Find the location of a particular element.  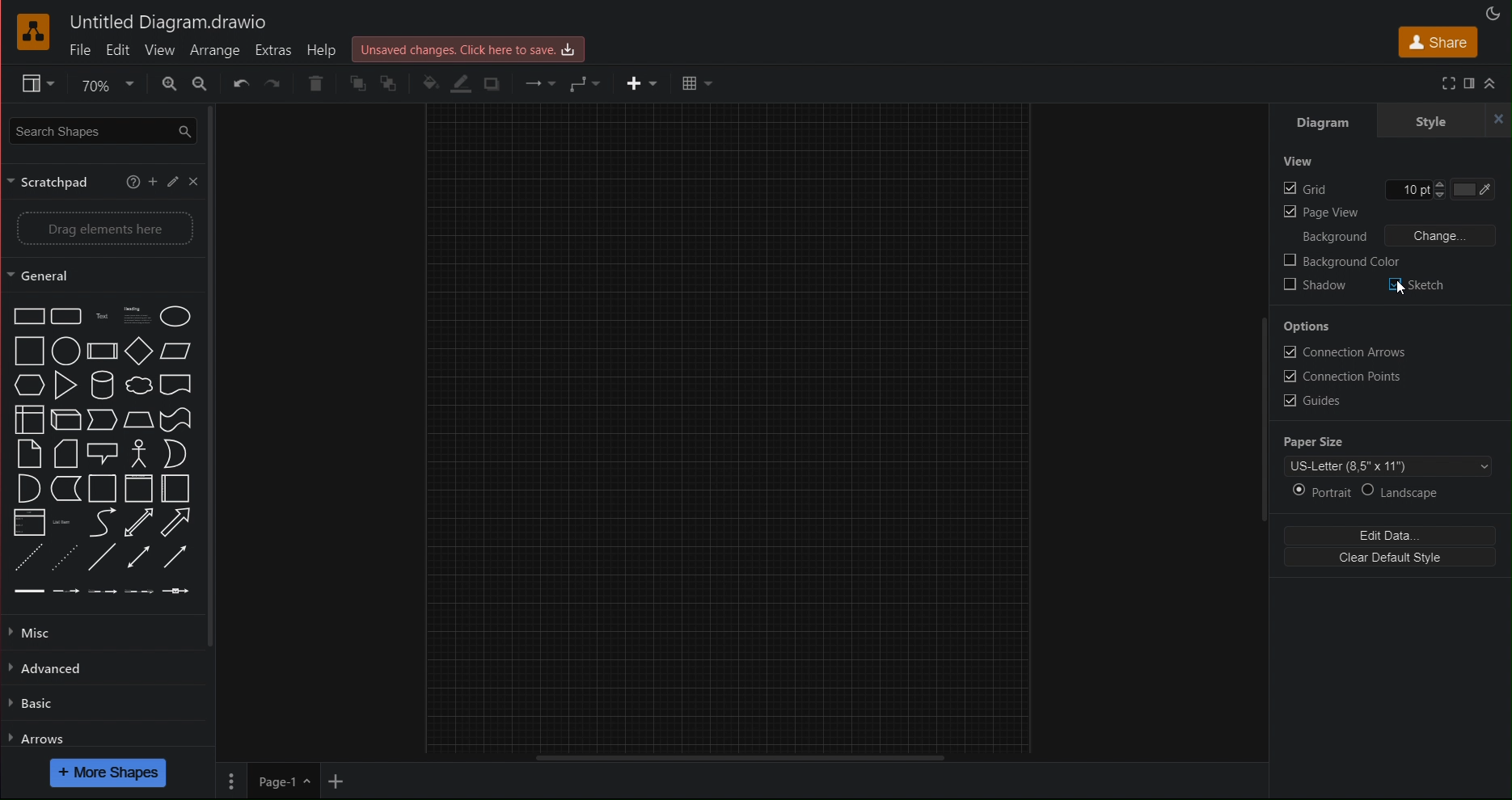

document is located at coordinates (178, 387).